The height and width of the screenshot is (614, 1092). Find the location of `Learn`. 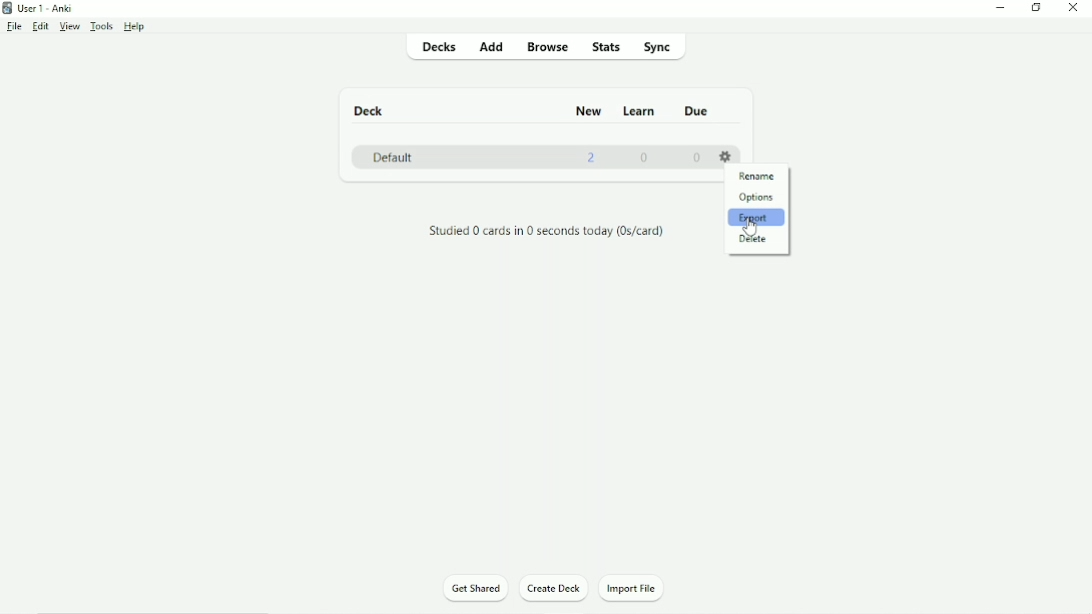

Learn is located at coordinates (638, 112).